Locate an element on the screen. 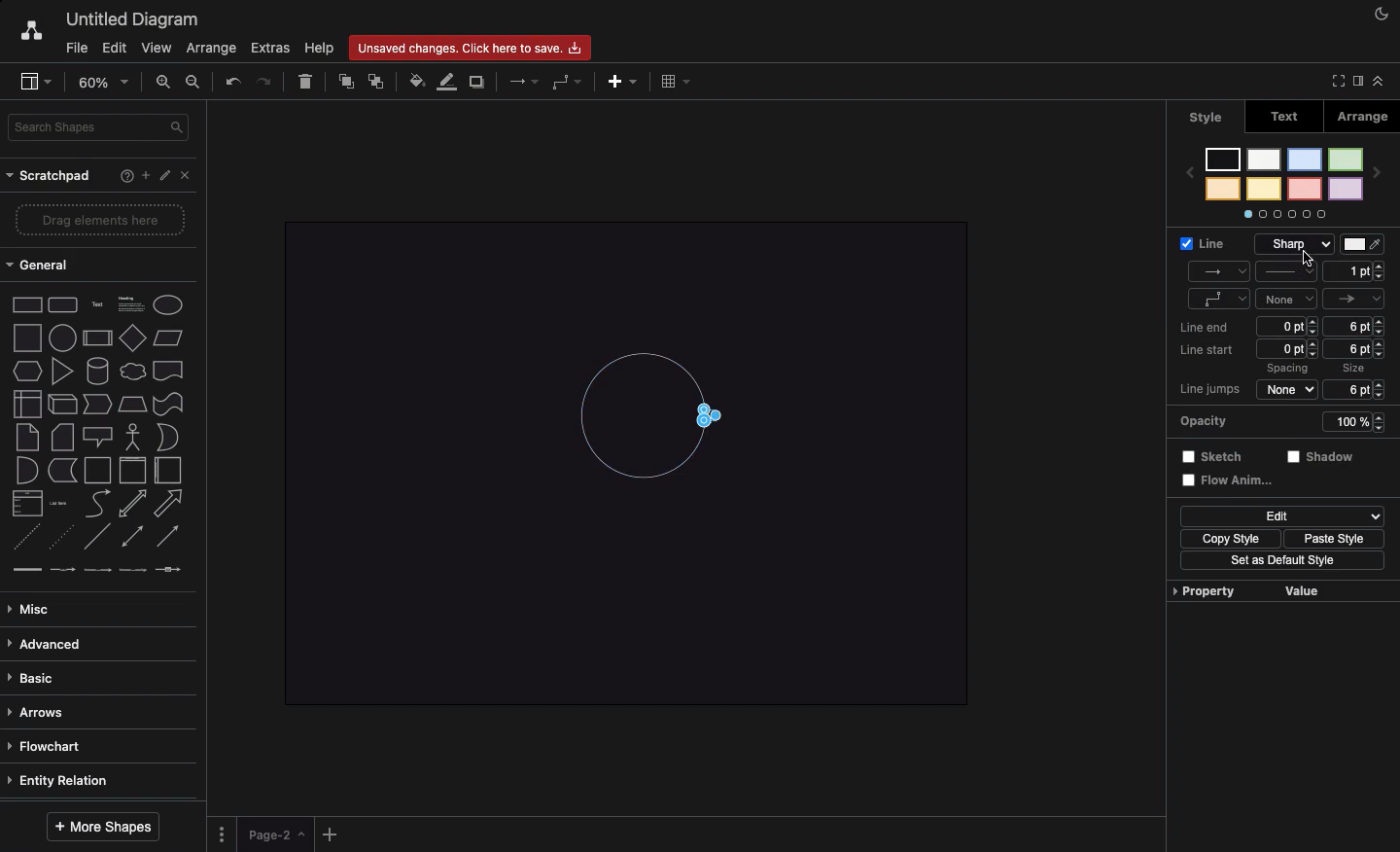 The width and height of the screenshot is (1400, 852). Line start is located at coordinates (1212, 351).